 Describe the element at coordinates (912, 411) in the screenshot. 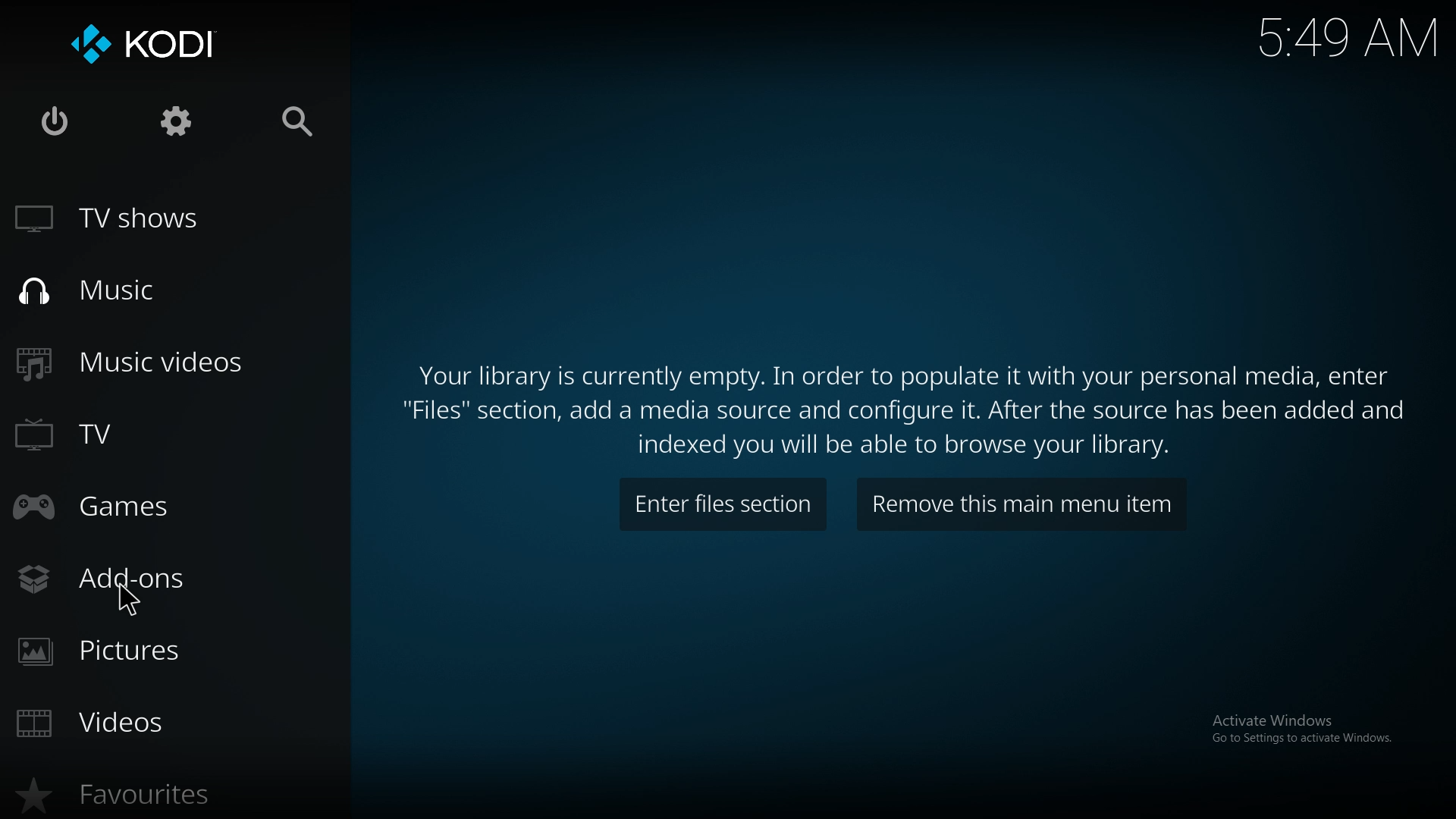

I see `info` at that location.